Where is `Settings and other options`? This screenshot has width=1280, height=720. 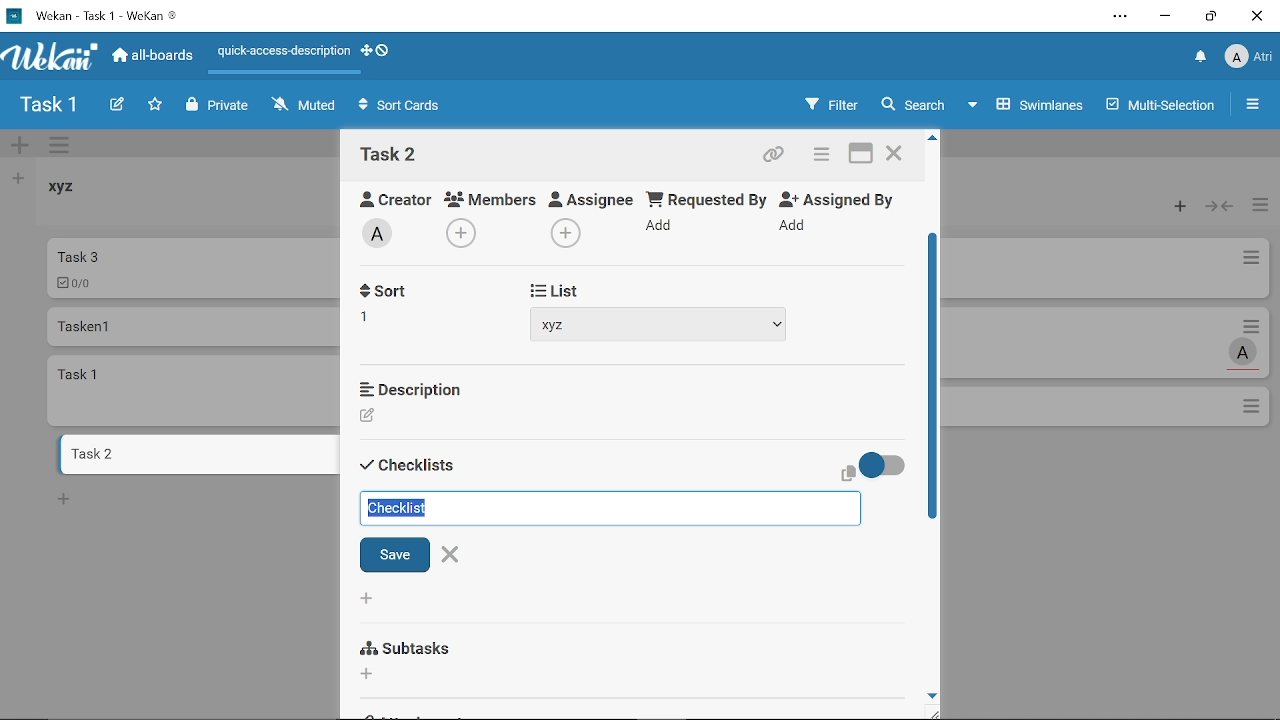 Settings and other options is located at coordinates (1122, 18).